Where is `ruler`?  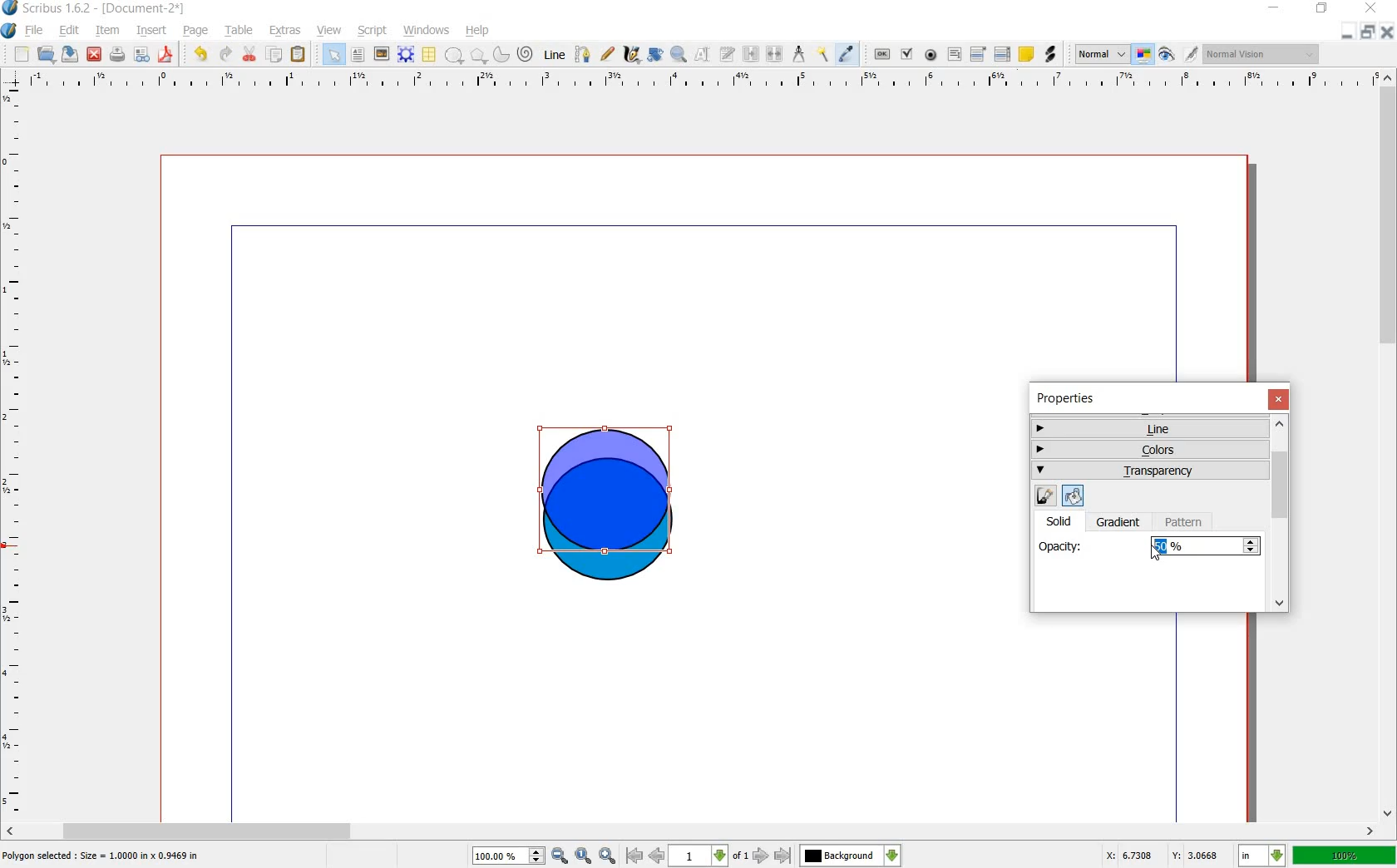
ruler is located at coordinates (13, 451).